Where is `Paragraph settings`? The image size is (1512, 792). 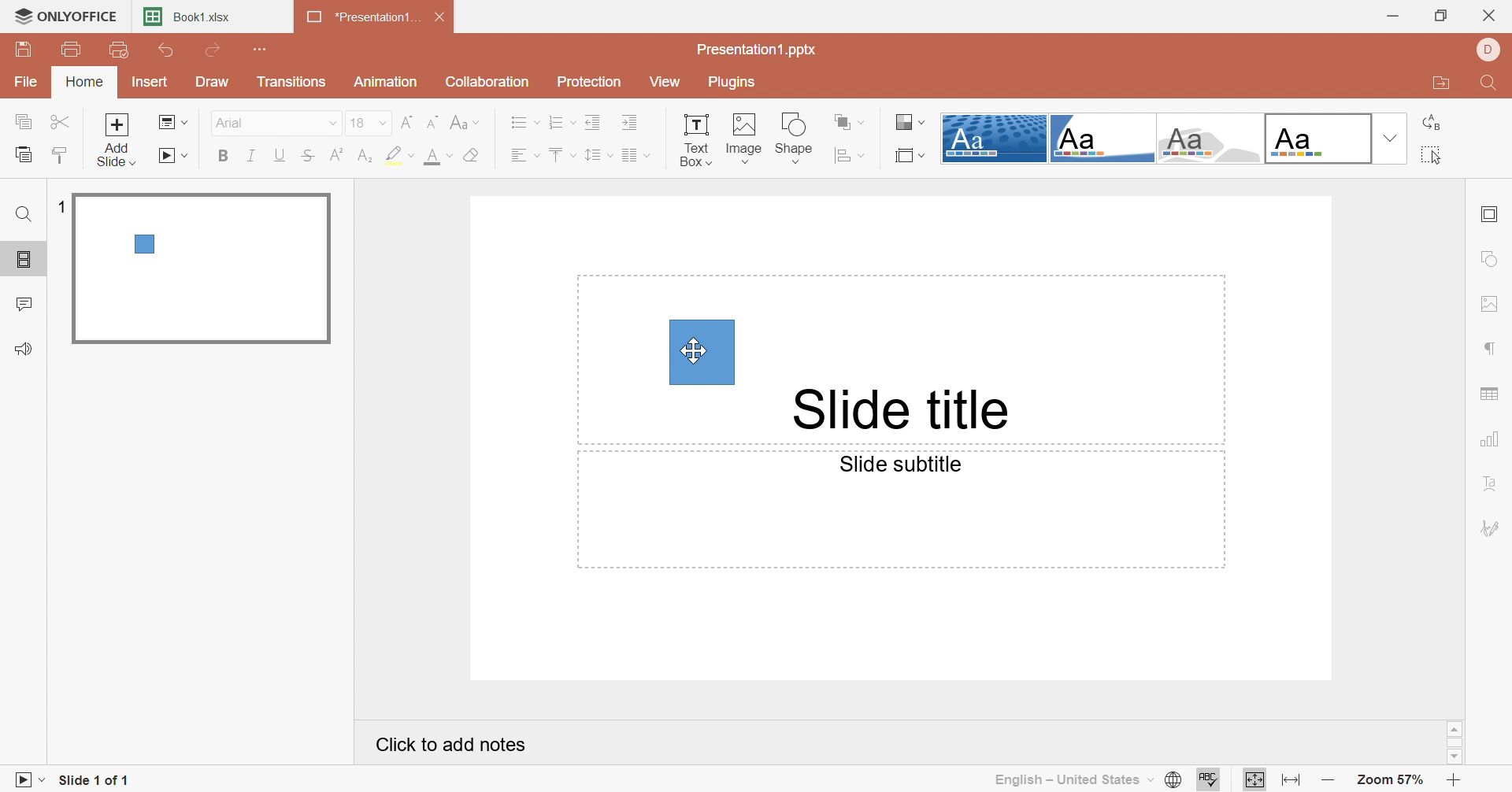
Paragraph settings is located at coordinates (1491, 347).